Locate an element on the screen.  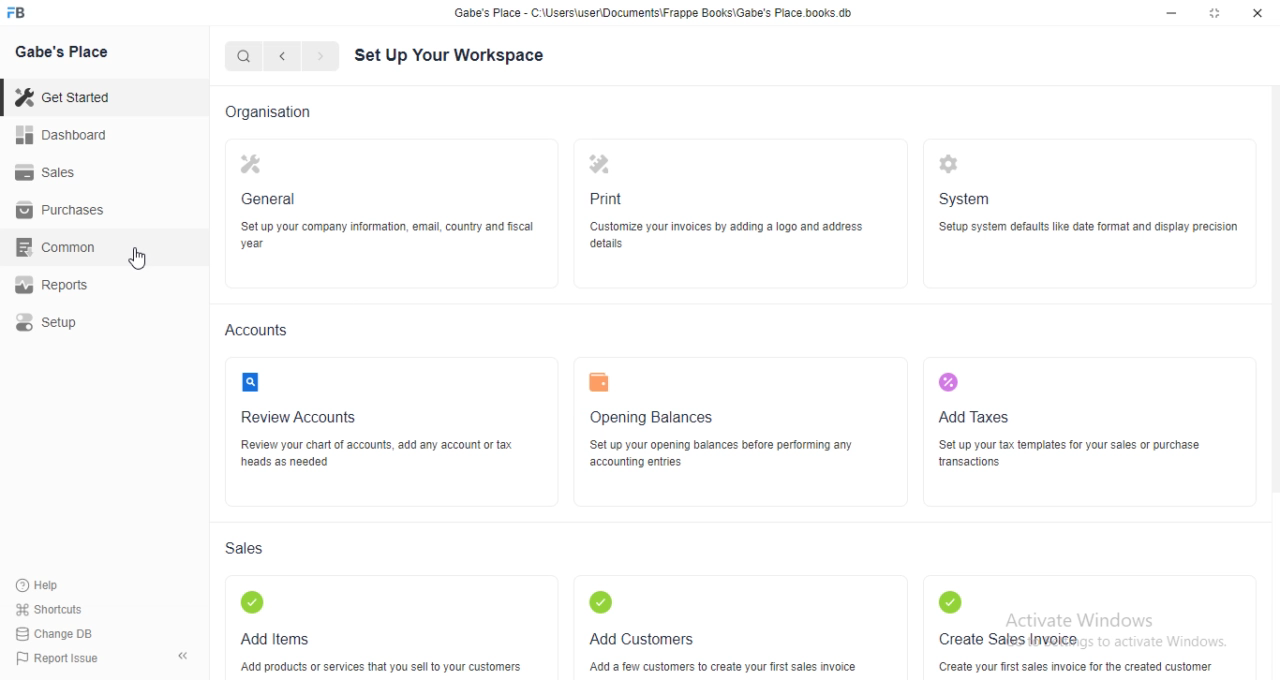
Collapse is located at coordinates (184, 656).